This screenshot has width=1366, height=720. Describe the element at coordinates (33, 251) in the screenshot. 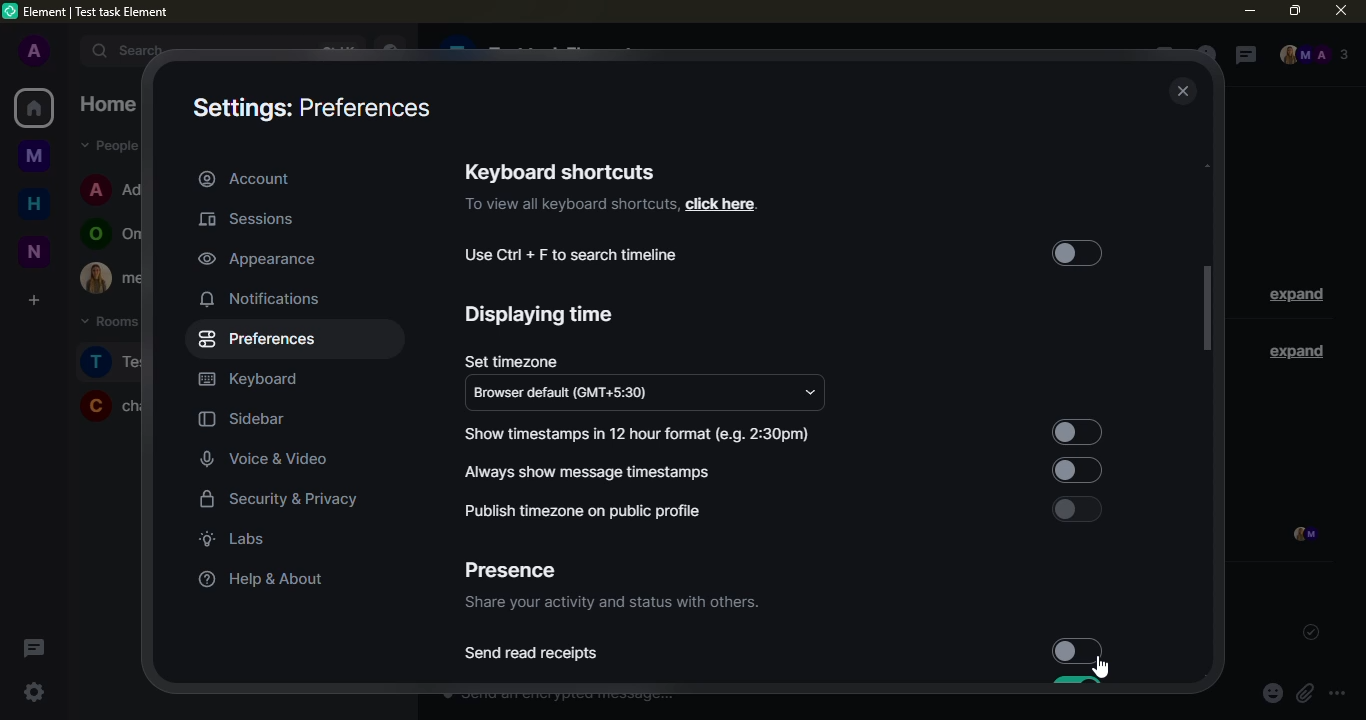

I see `new` at that location.